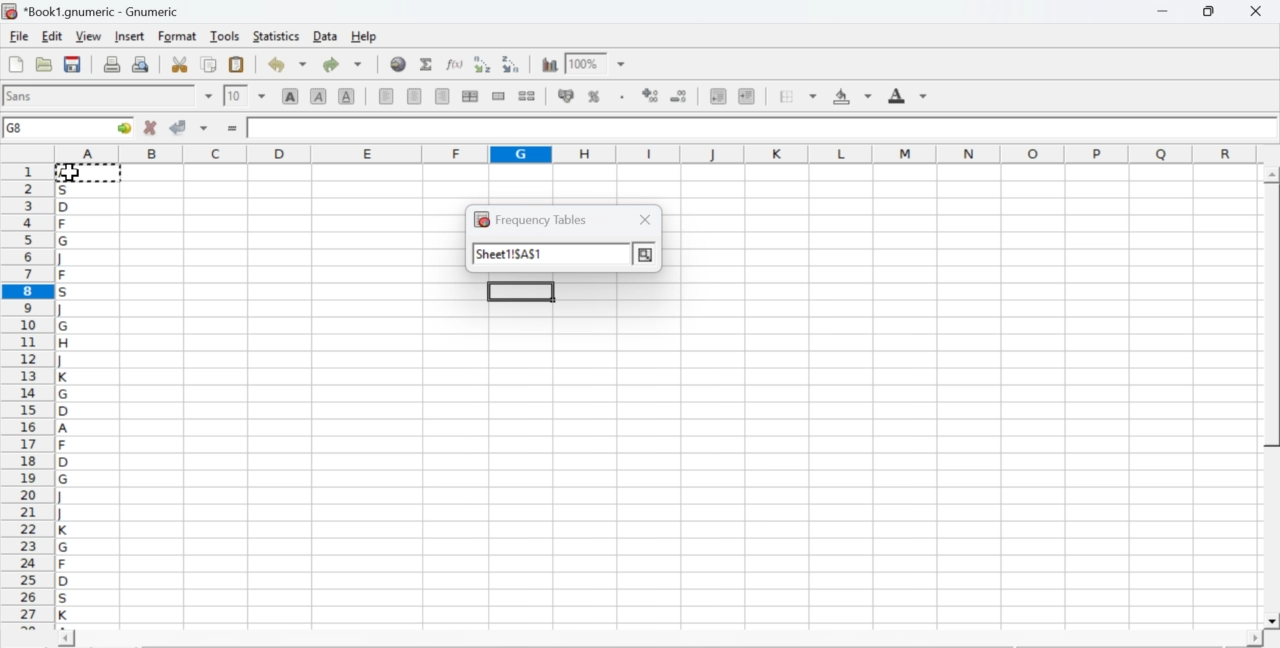  What do you see at coordinates (908, 95) in the screenshot?
I see `foreground` at bounding box center [908, 95].